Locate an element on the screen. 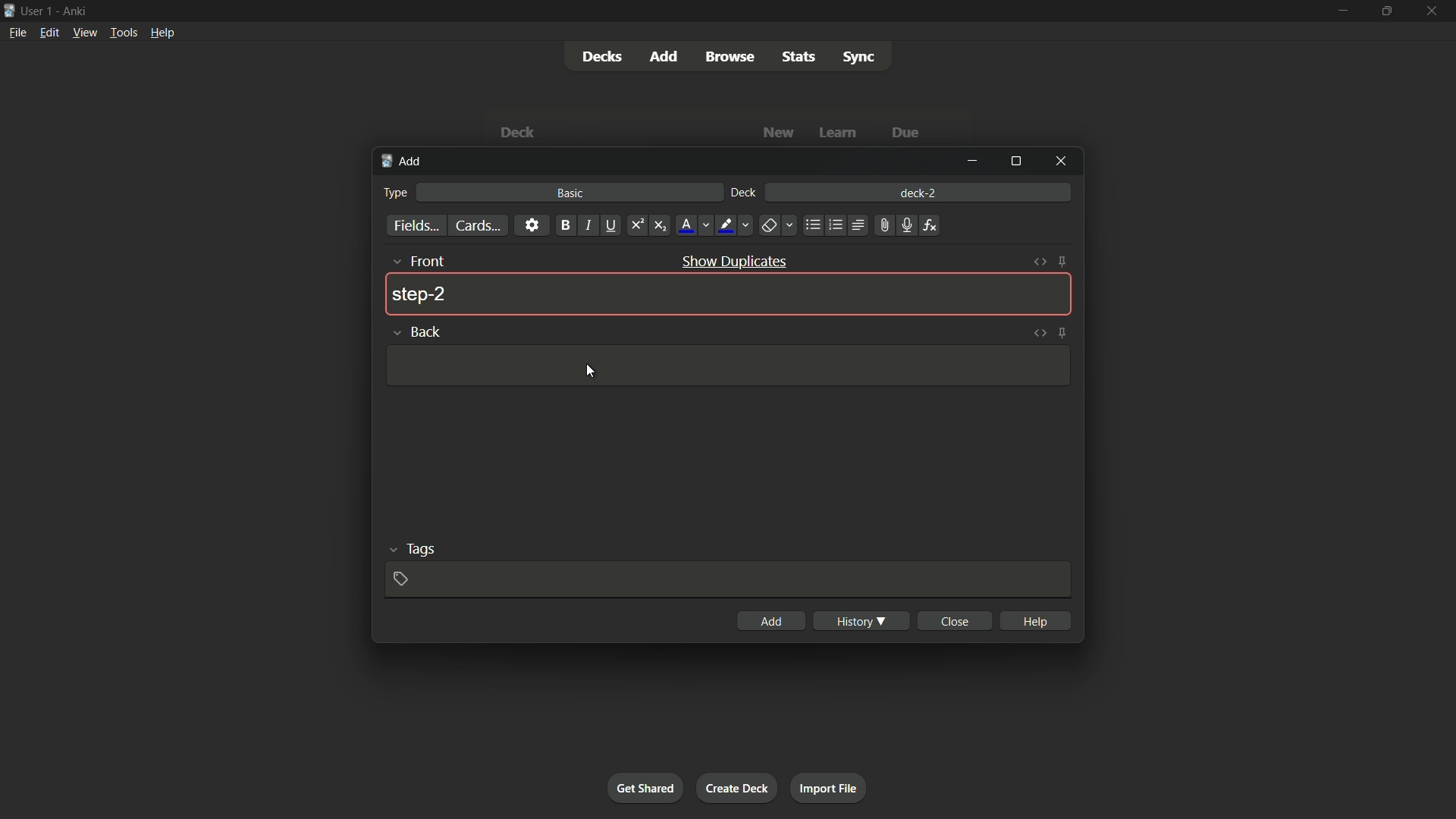 Image resolution: width=1456 pixels, height=819 pixels. learn is located at coordinates (840, 133).